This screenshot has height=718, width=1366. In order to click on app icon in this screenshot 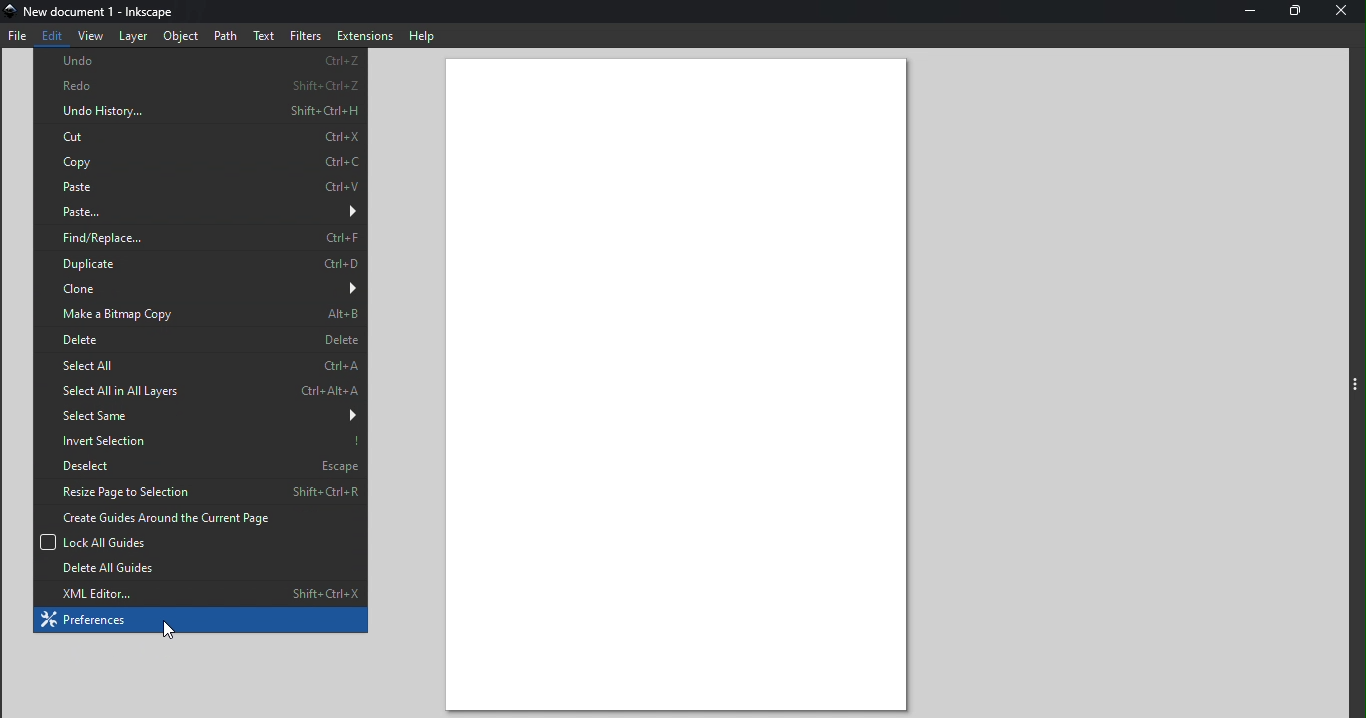, I will do `click(10, 11)`.